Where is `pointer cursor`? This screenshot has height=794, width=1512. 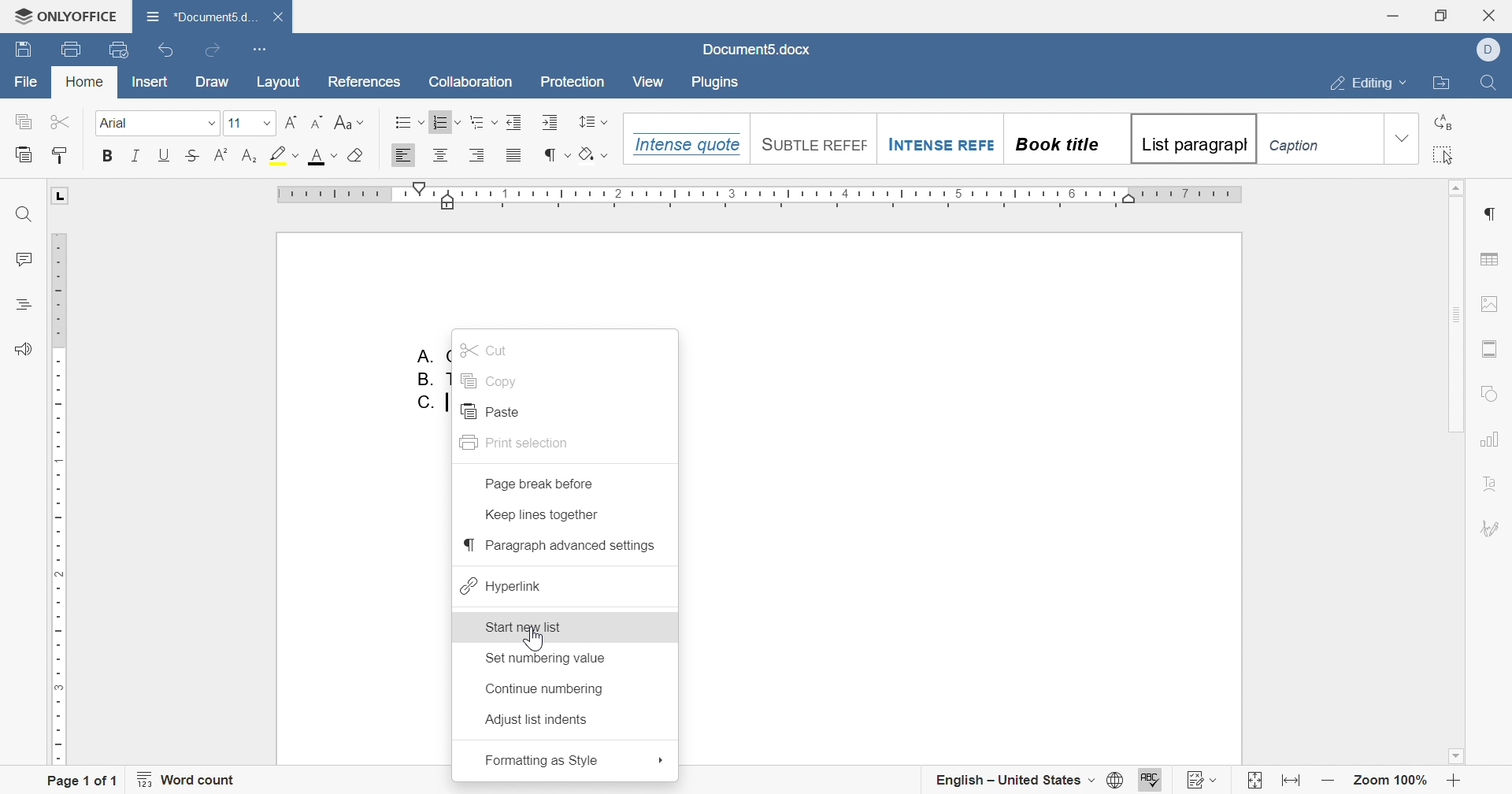
pointer cursor is located at coordinates (531, 640).